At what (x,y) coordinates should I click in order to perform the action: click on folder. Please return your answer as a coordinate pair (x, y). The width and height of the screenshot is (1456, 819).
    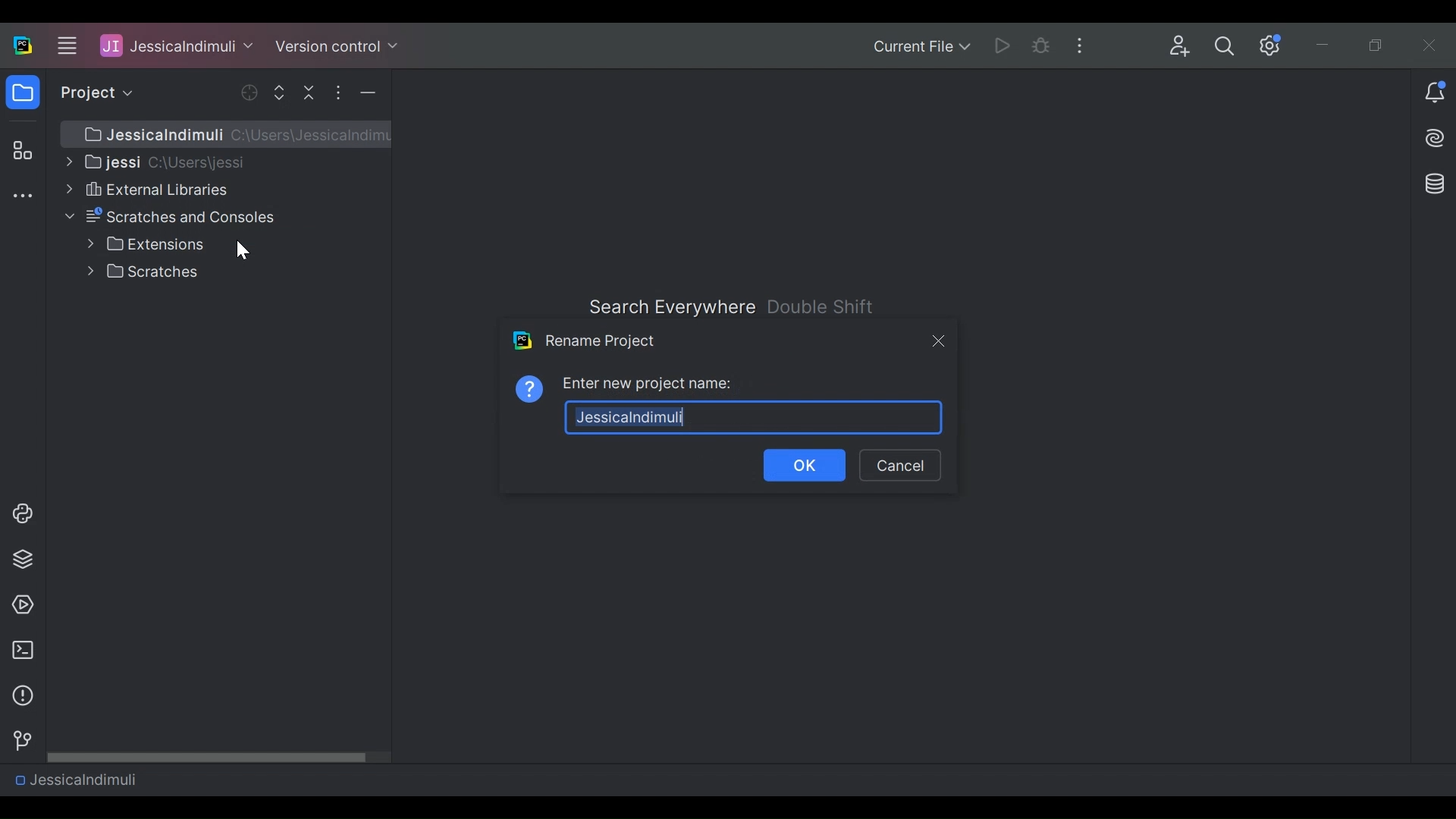
    Looking at the image, I should click on (22, 95).